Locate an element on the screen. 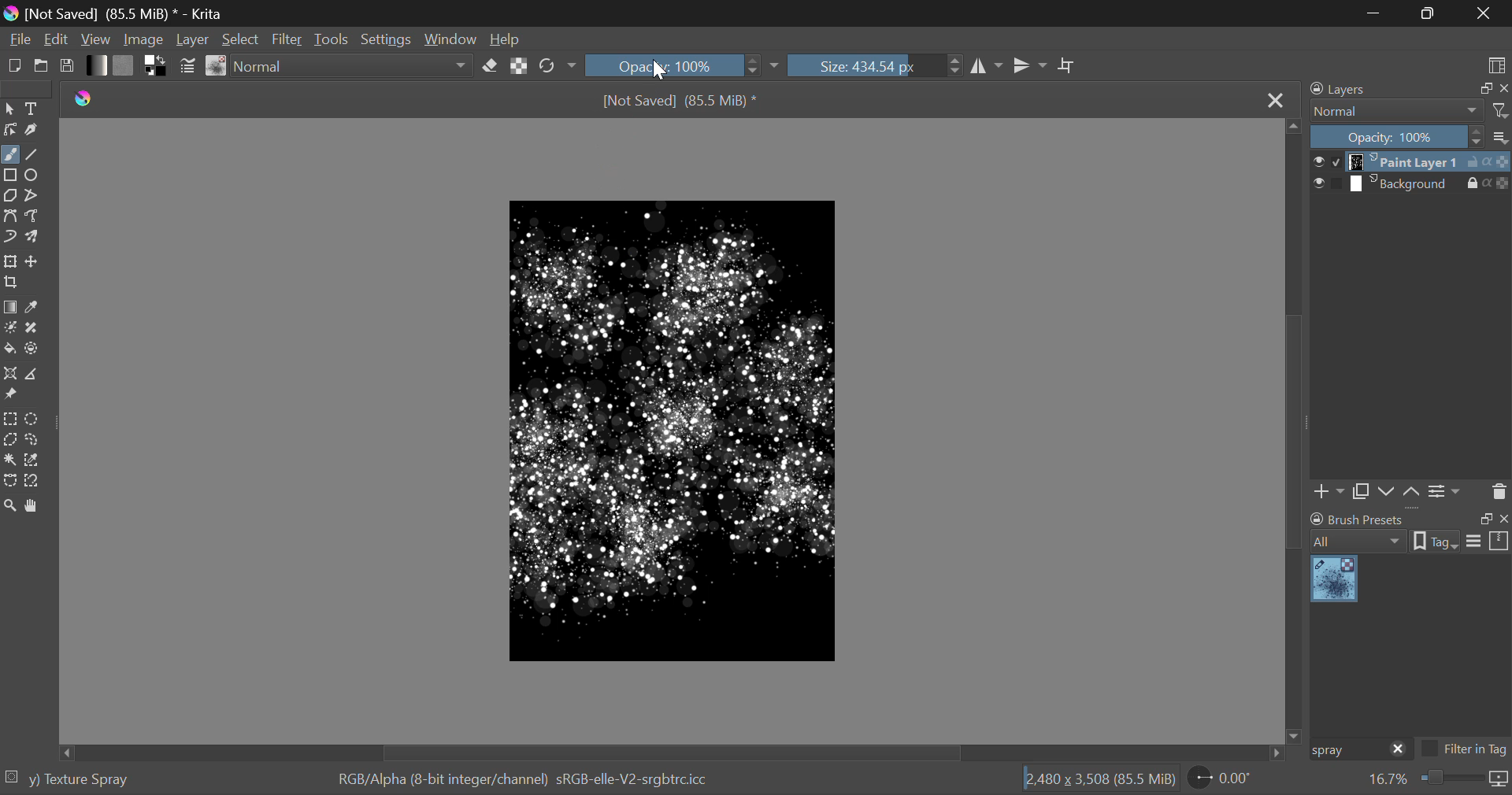  Assistant Tool is located at coordinates (9, 374).